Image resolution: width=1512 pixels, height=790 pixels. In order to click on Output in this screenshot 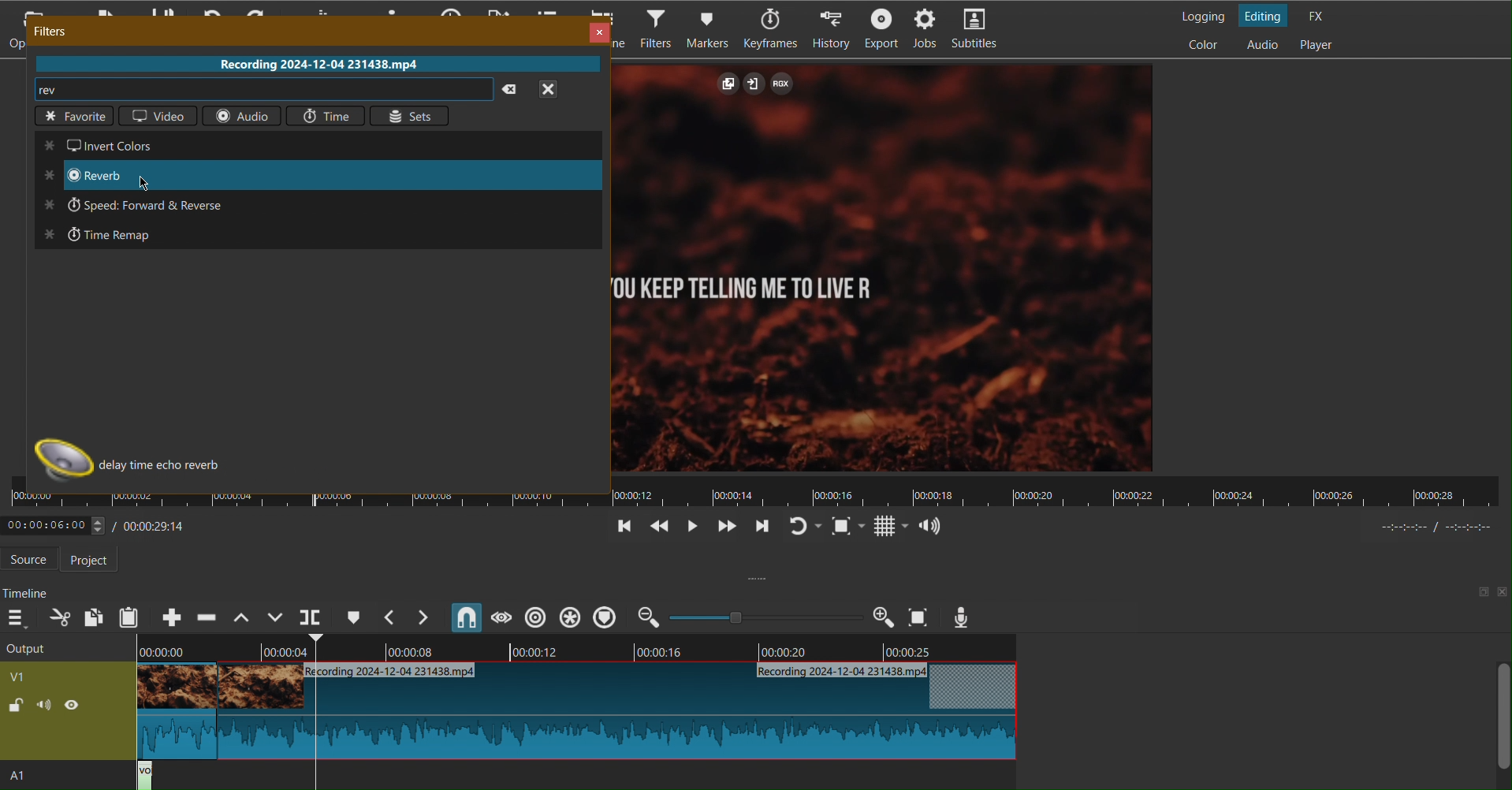, I will do `click(63, 647)`.